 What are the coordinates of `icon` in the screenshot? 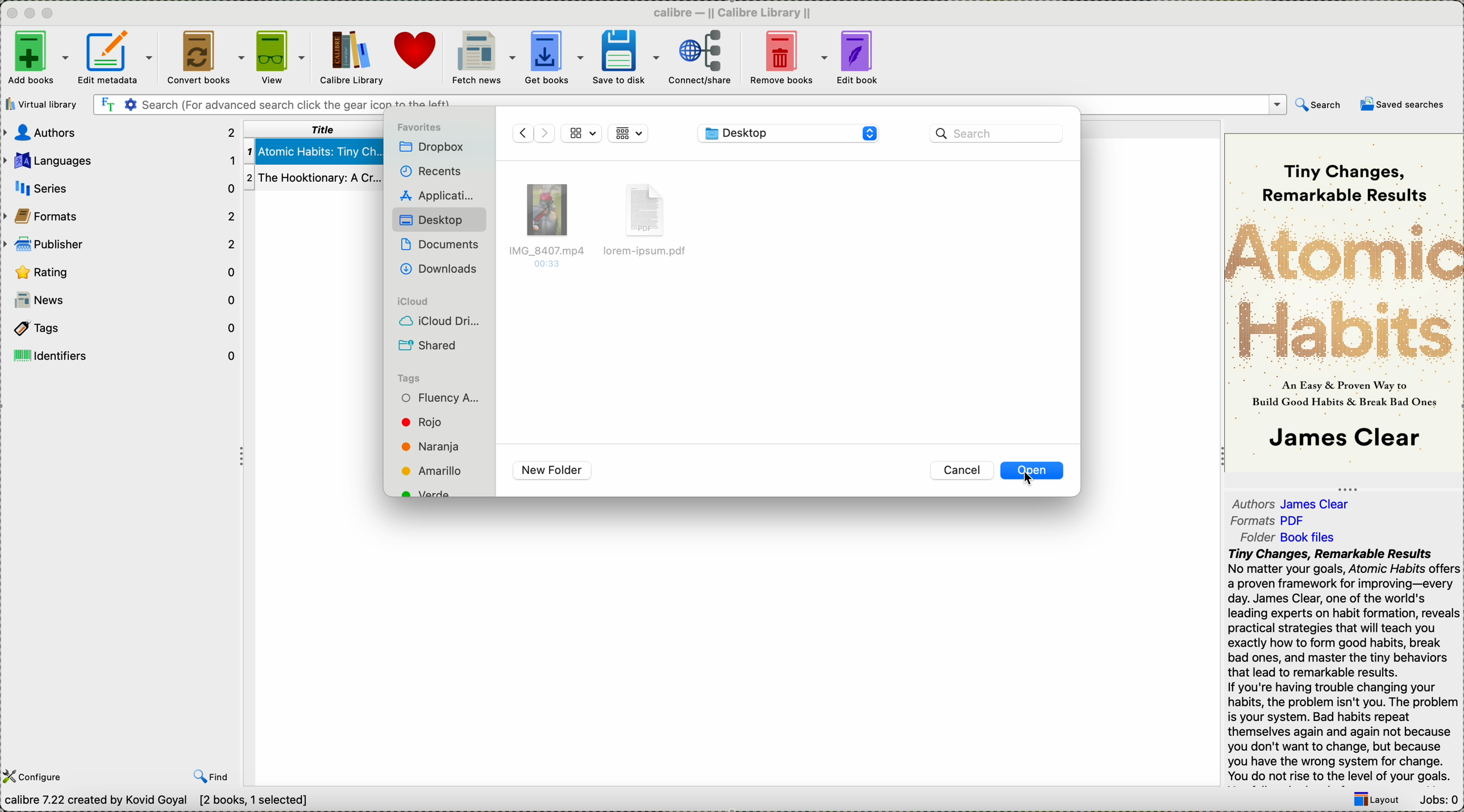 It's located at (630, 132).